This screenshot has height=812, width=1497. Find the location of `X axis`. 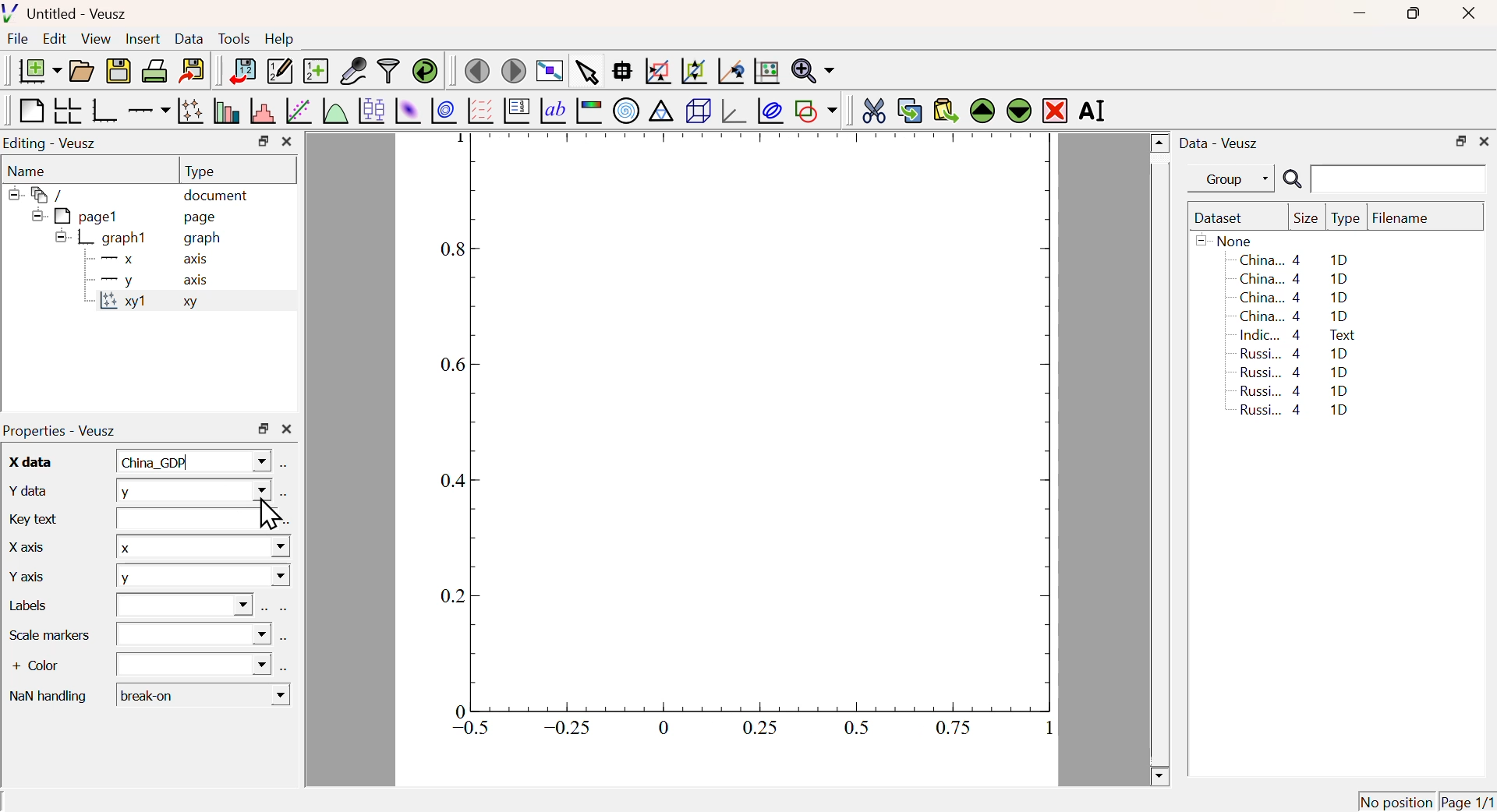

X axis is located at coordinates (23, 545).